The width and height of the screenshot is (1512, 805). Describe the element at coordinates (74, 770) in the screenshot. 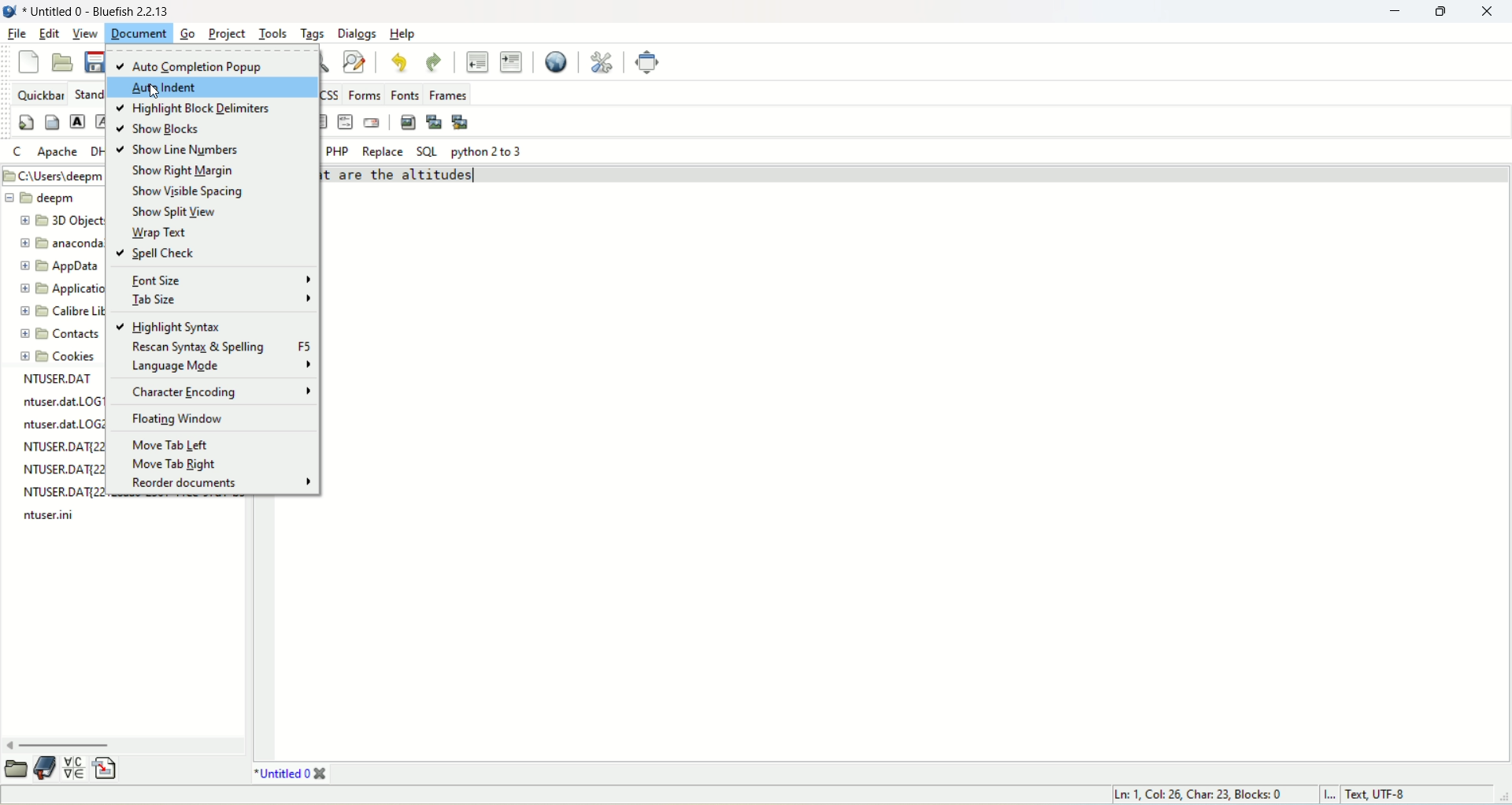

I see `insert special character` at that location.